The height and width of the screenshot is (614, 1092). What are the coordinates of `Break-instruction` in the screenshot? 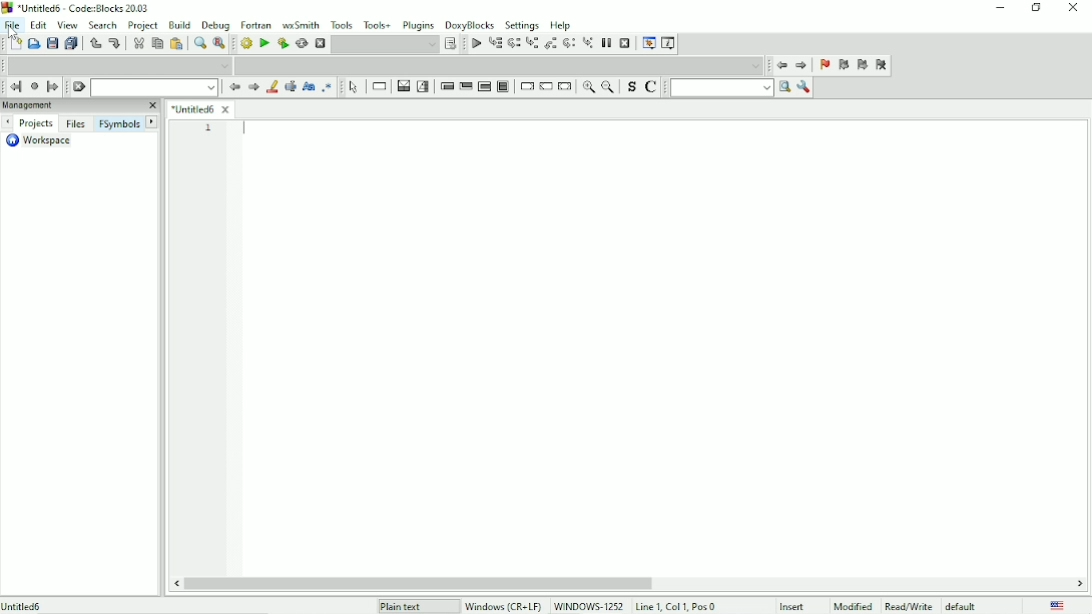 It's located at (525, 85).